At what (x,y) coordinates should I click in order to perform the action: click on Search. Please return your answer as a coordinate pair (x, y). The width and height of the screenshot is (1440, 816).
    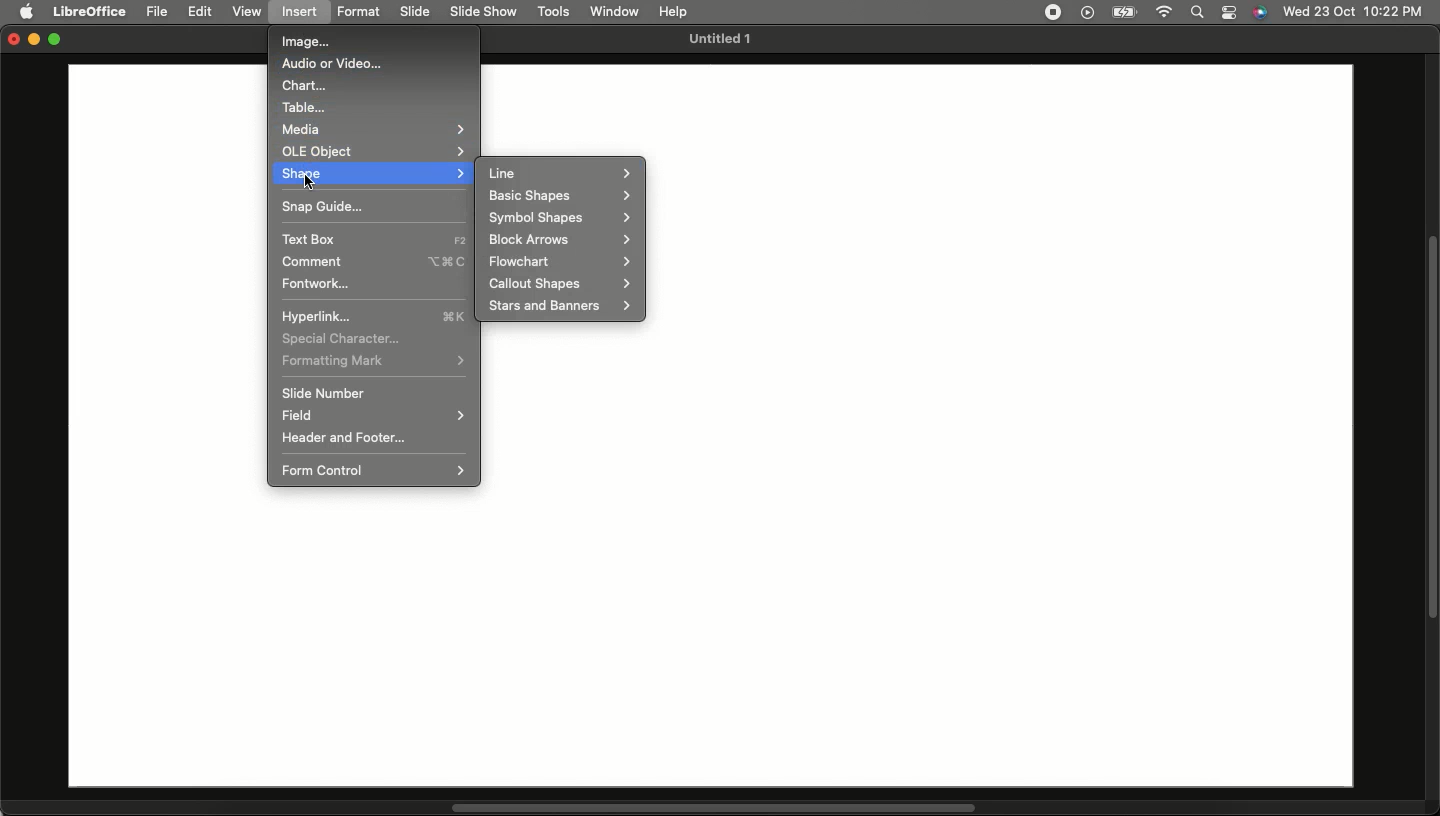
    Looking at the image, I should click on (1196, 13).